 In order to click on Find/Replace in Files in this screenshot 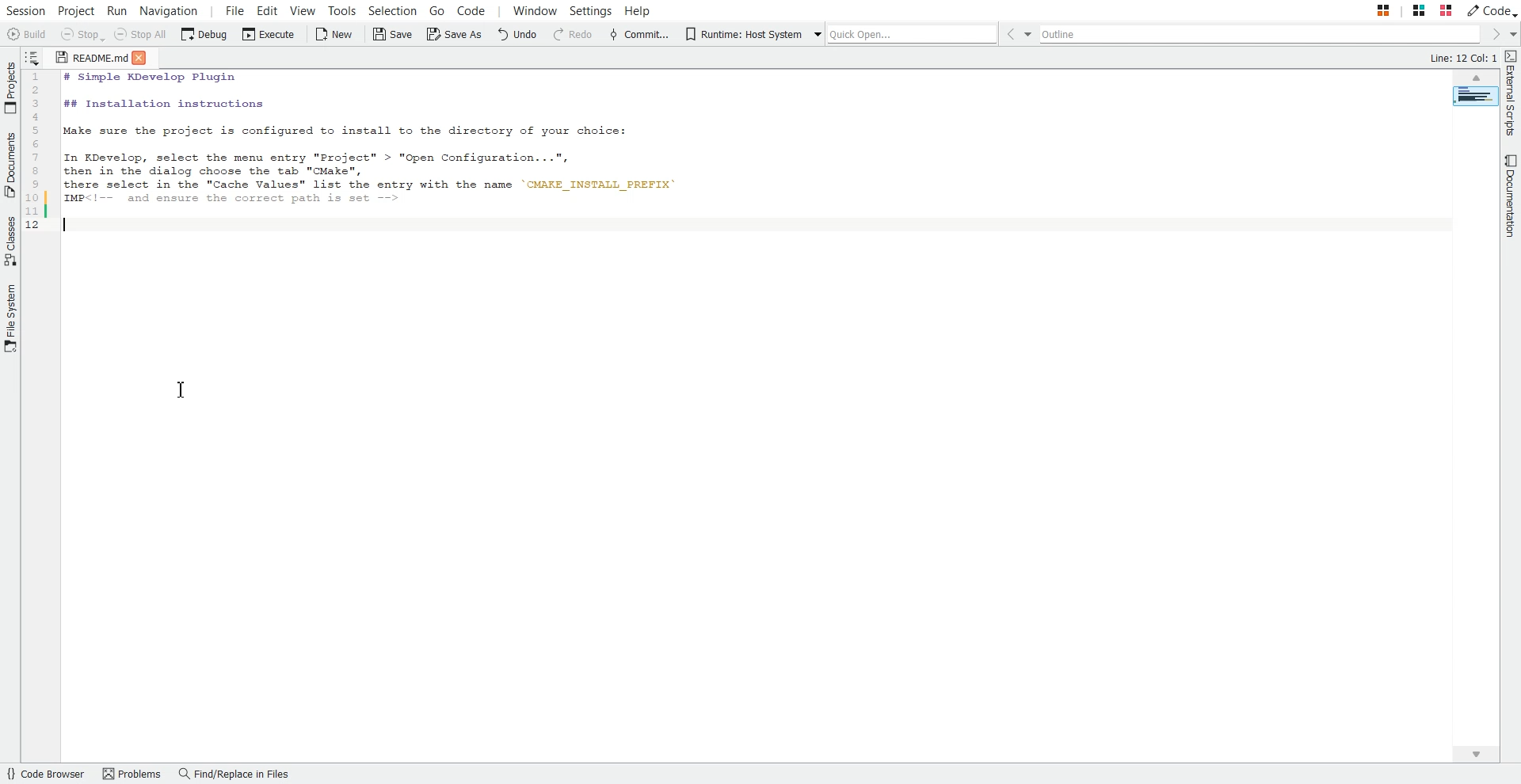, I will do `click(235, 774)`.